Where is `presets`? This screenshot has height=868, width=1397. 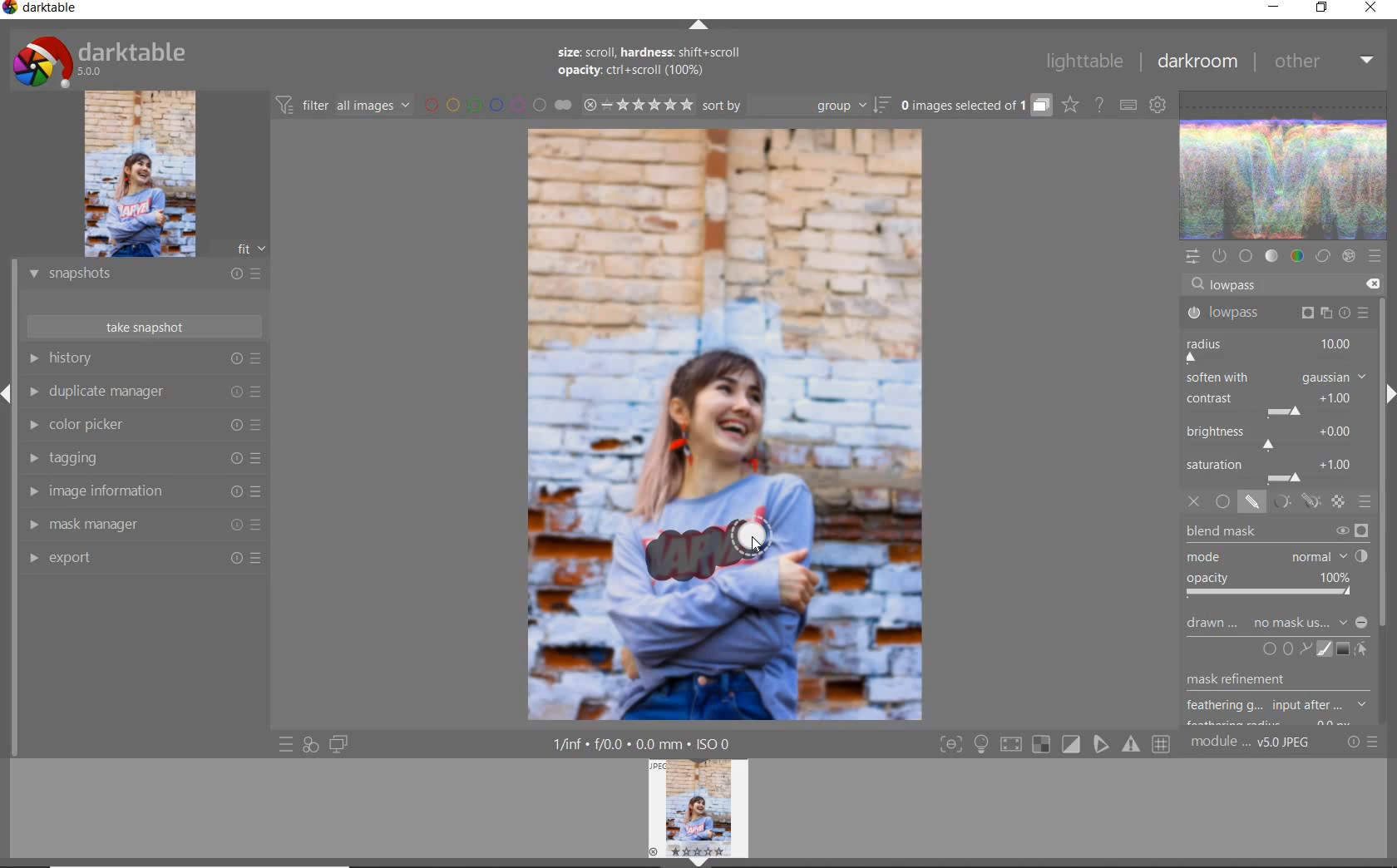 presets is located at coordinates (1375, 256).